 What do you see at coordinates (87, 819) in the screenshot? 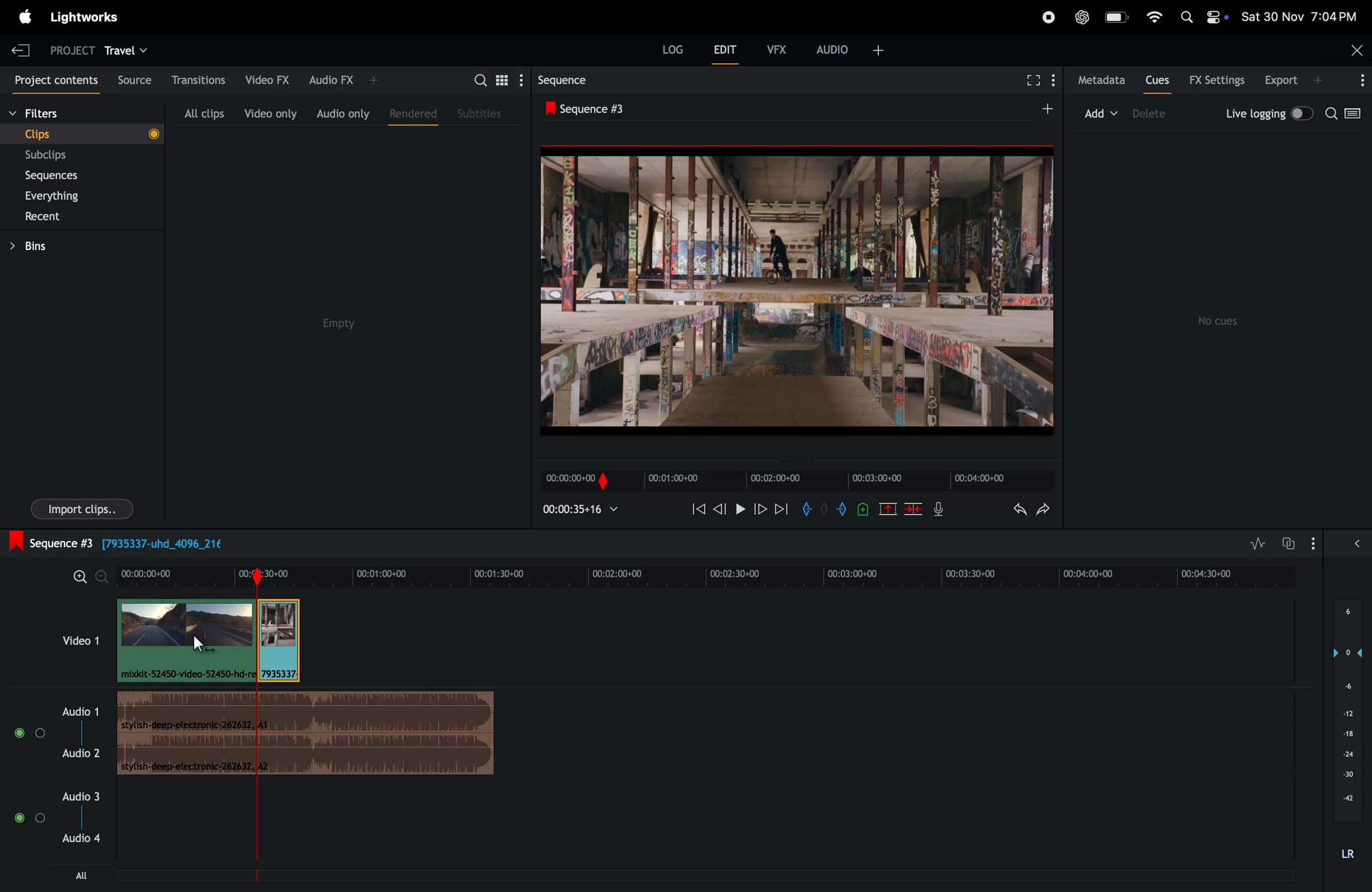
I see `Audio 3 -- Audio 4` at bounding box center [87, 819].